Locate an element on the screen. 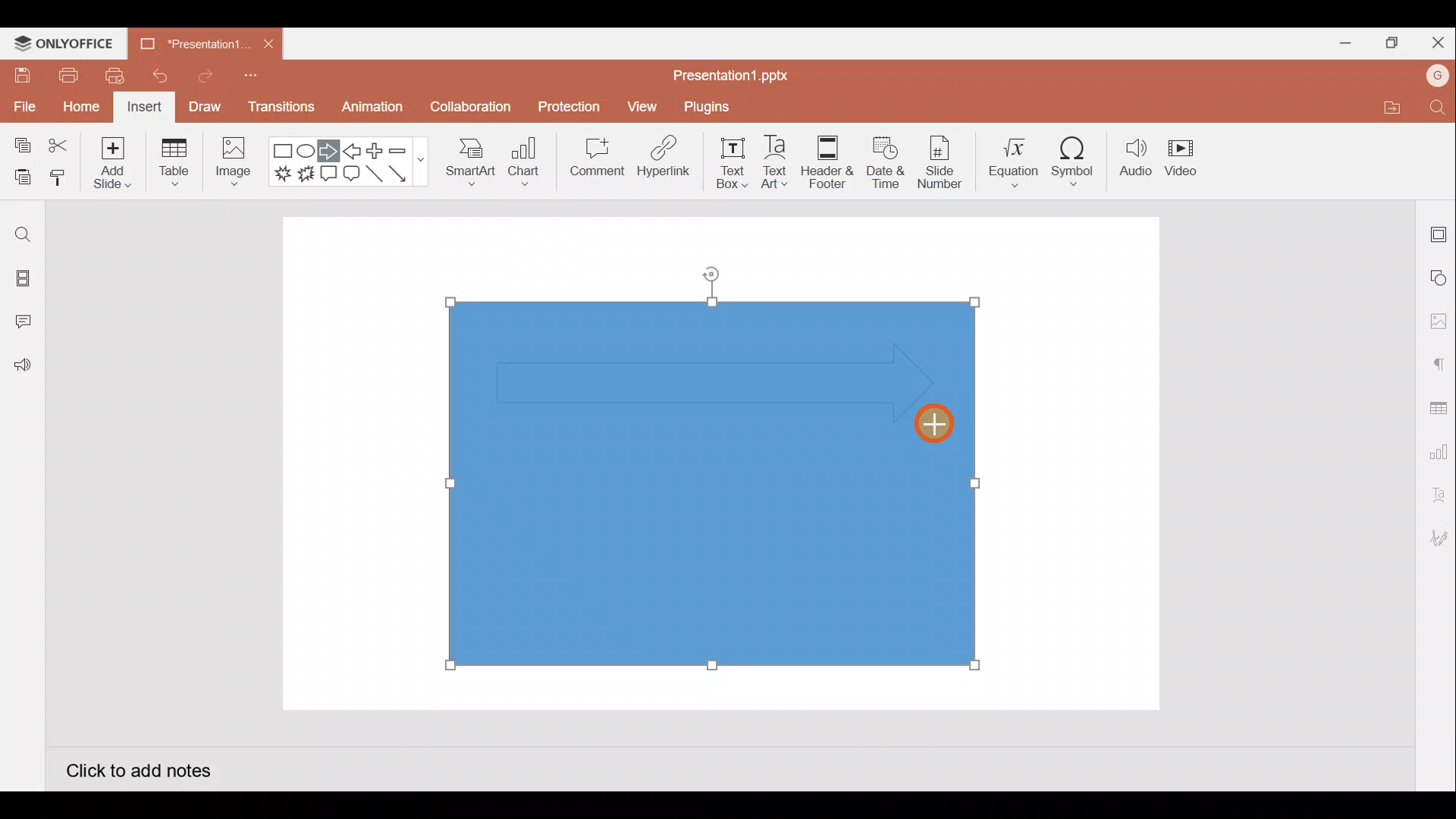 The width and height of the screenshot is (1456, 819). Paste is located at coordinates (19, 178).